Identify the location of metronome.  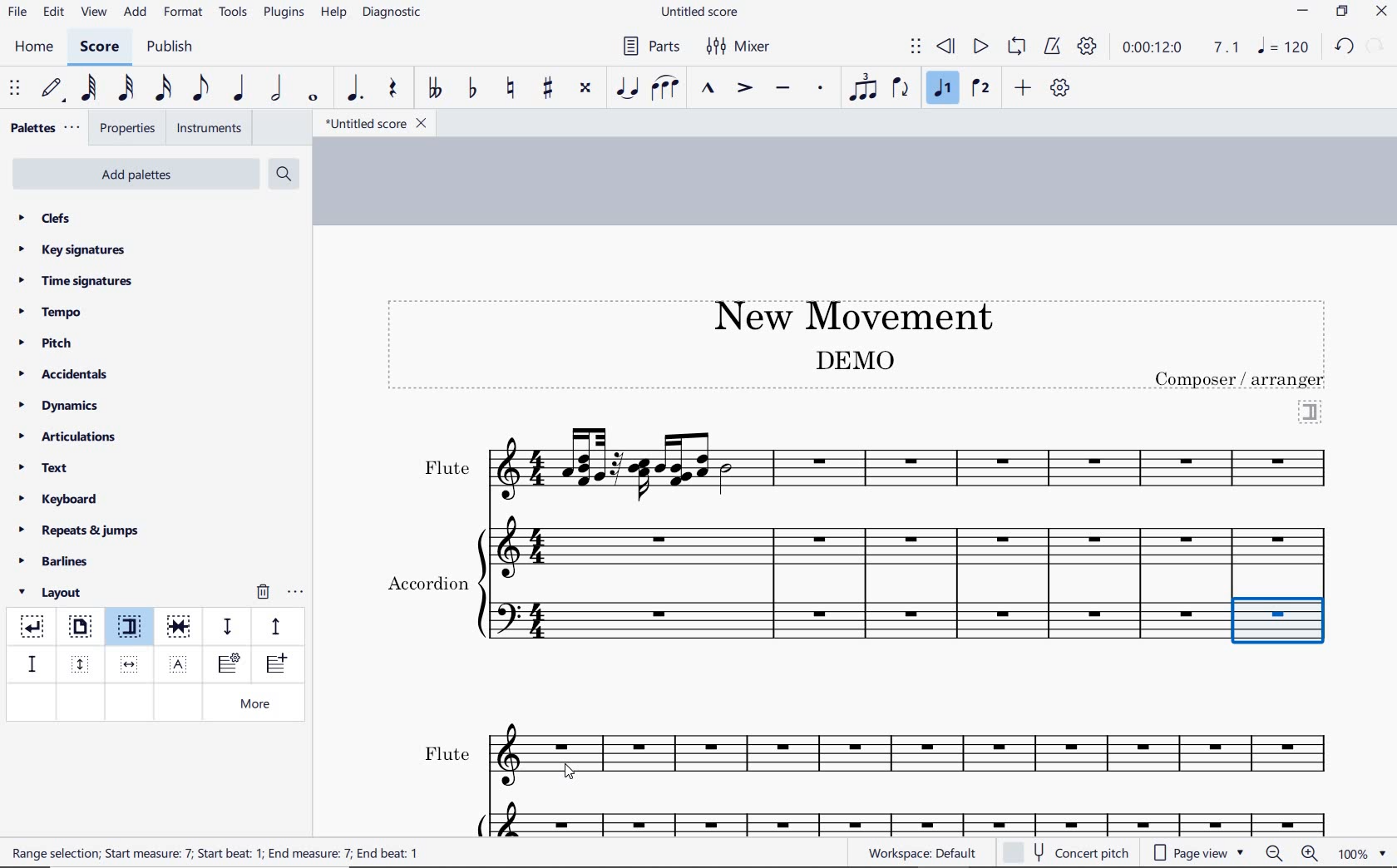
(1051, 47).